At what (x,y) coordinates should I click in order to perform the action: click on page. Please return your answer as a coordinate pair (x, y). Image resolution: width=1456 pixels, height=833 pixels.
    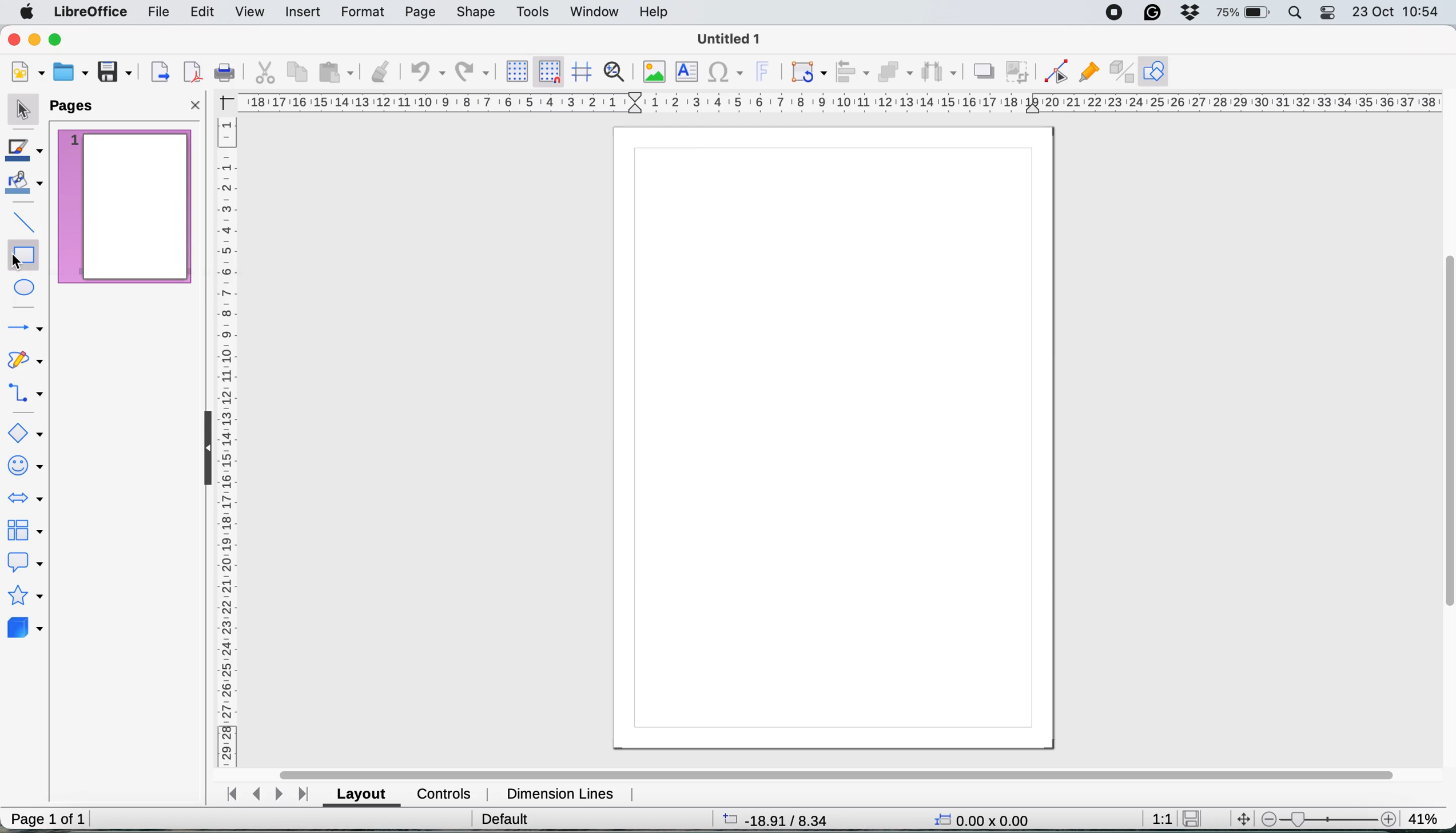
    Looking at the image, I should click on (420, 13).